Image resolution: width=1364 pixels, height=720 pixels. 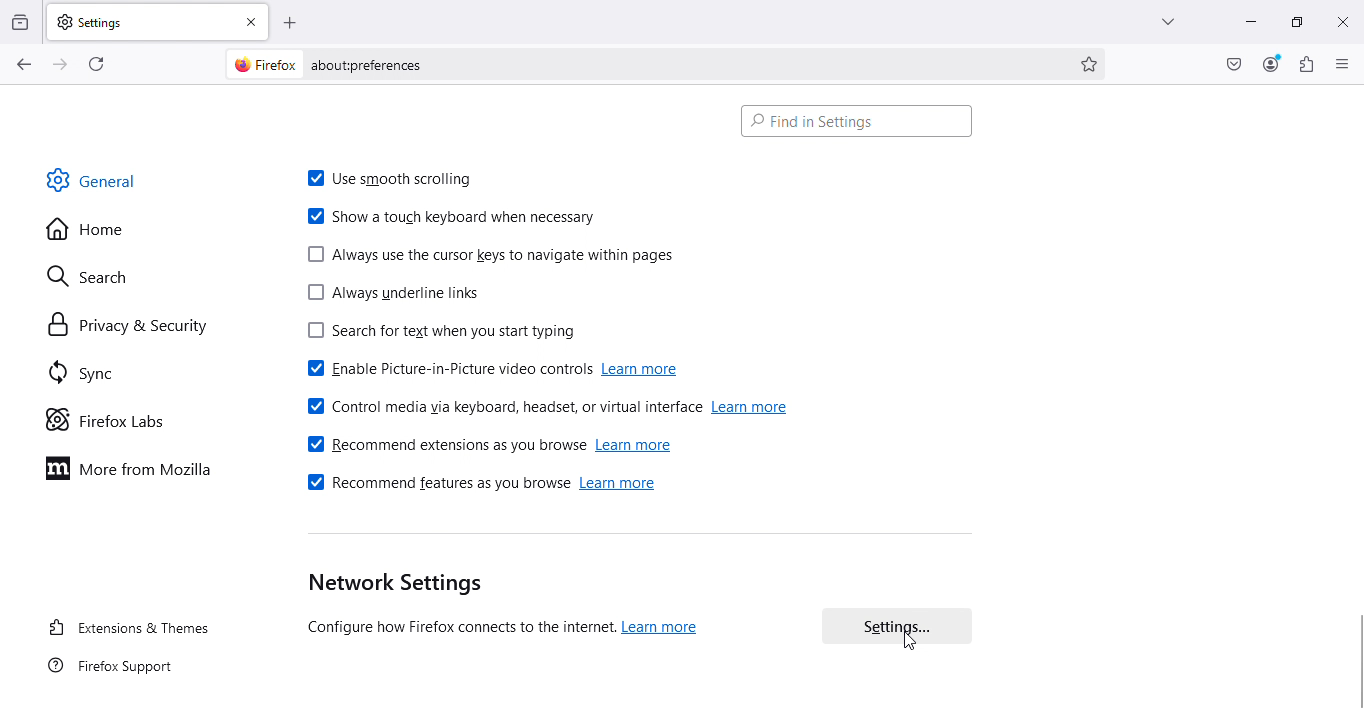 What do you see at coordinates (22, 20) in the screenshot?
I see `View recent browsing across windows and devices` at bounding box center [22, 20].